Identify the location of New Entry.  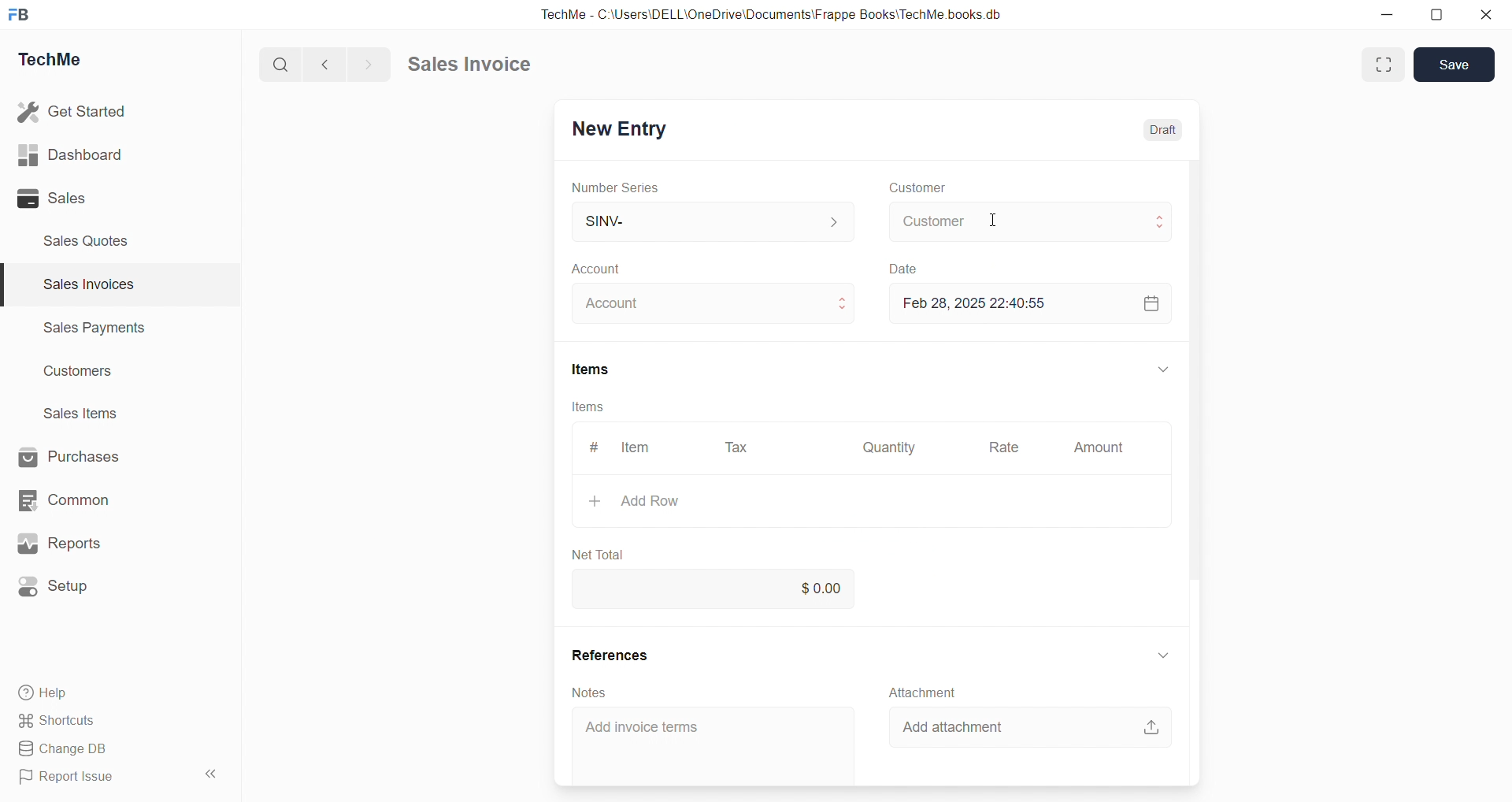
(622, 130).